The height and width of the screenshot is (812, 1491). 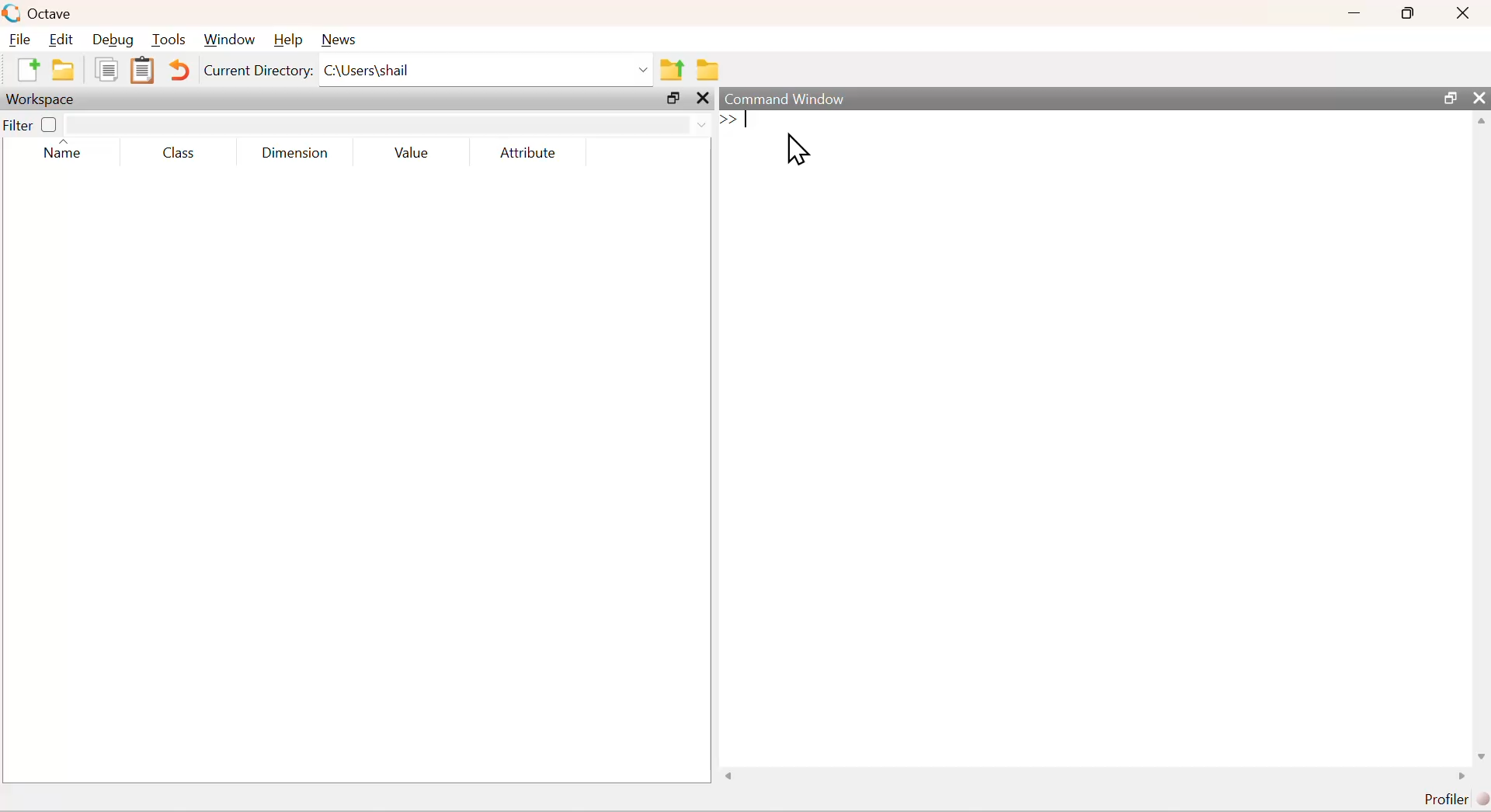 I want to click on scroll right, so click(x=1460, y=779).